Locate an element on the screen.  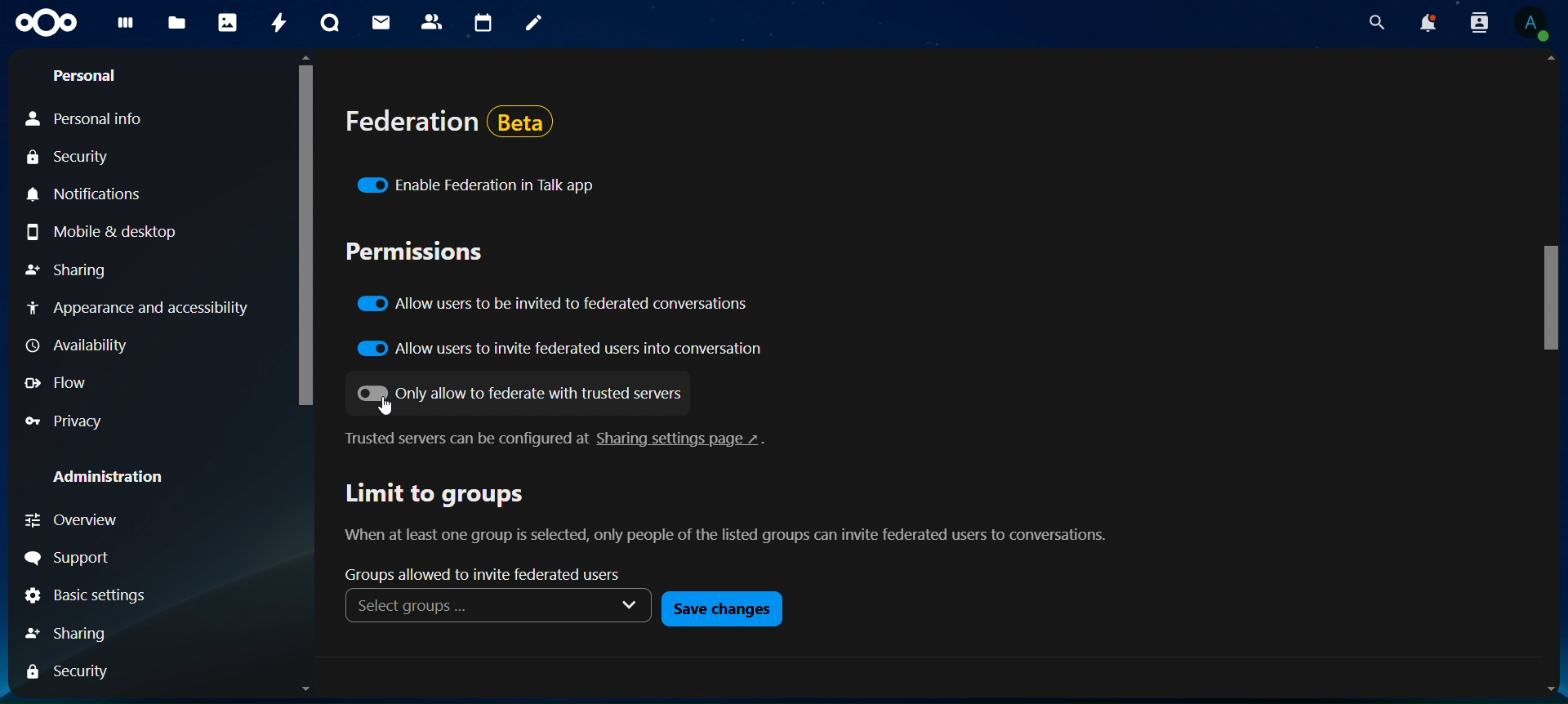
mail is located at coordinates (381, 22).